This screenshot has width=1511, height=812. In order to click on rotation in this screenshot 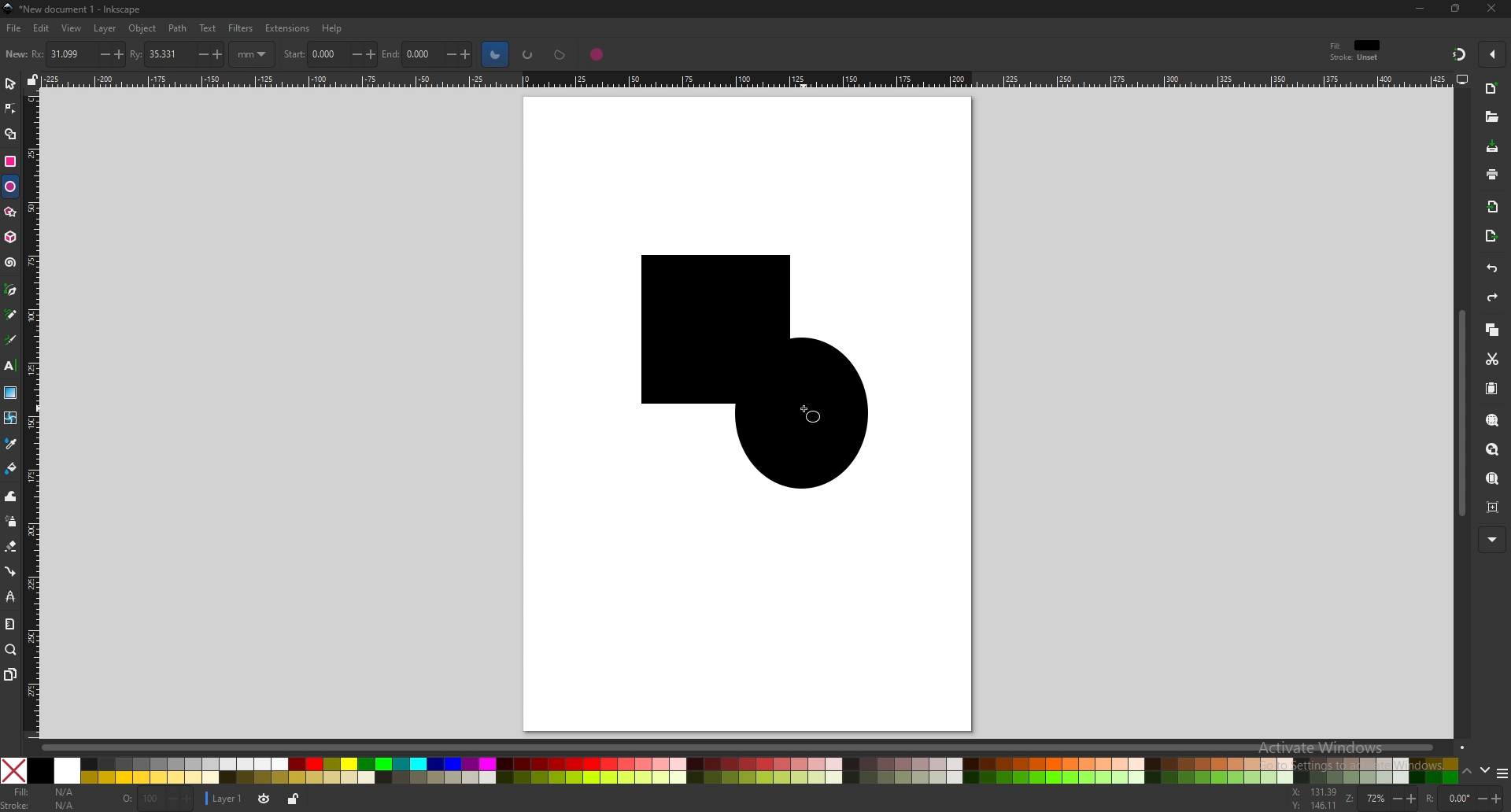, I will do `click(1463, 799)`.